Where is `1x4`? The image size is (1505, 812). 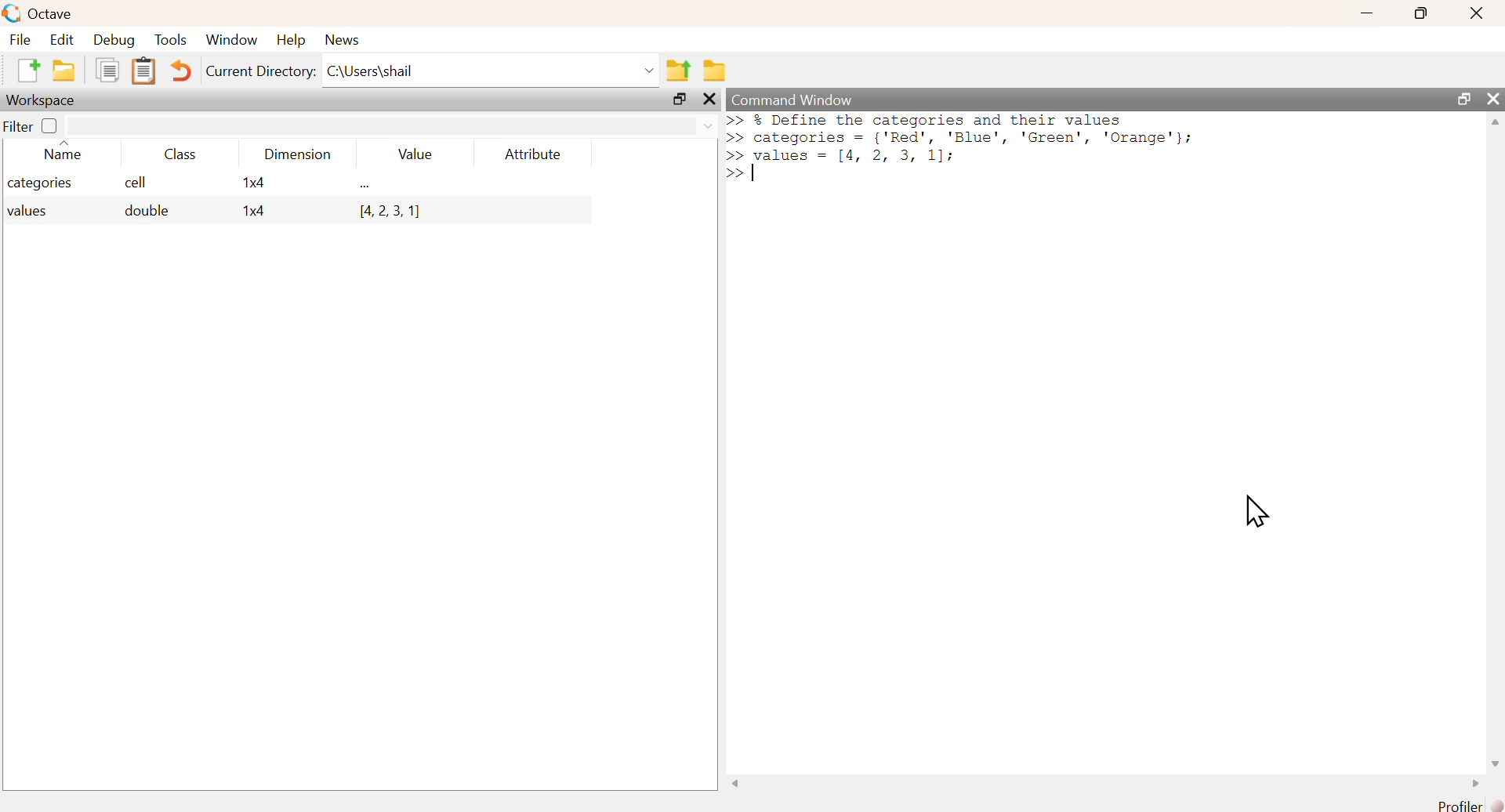 1x4 is located at coordinates (256, 210).